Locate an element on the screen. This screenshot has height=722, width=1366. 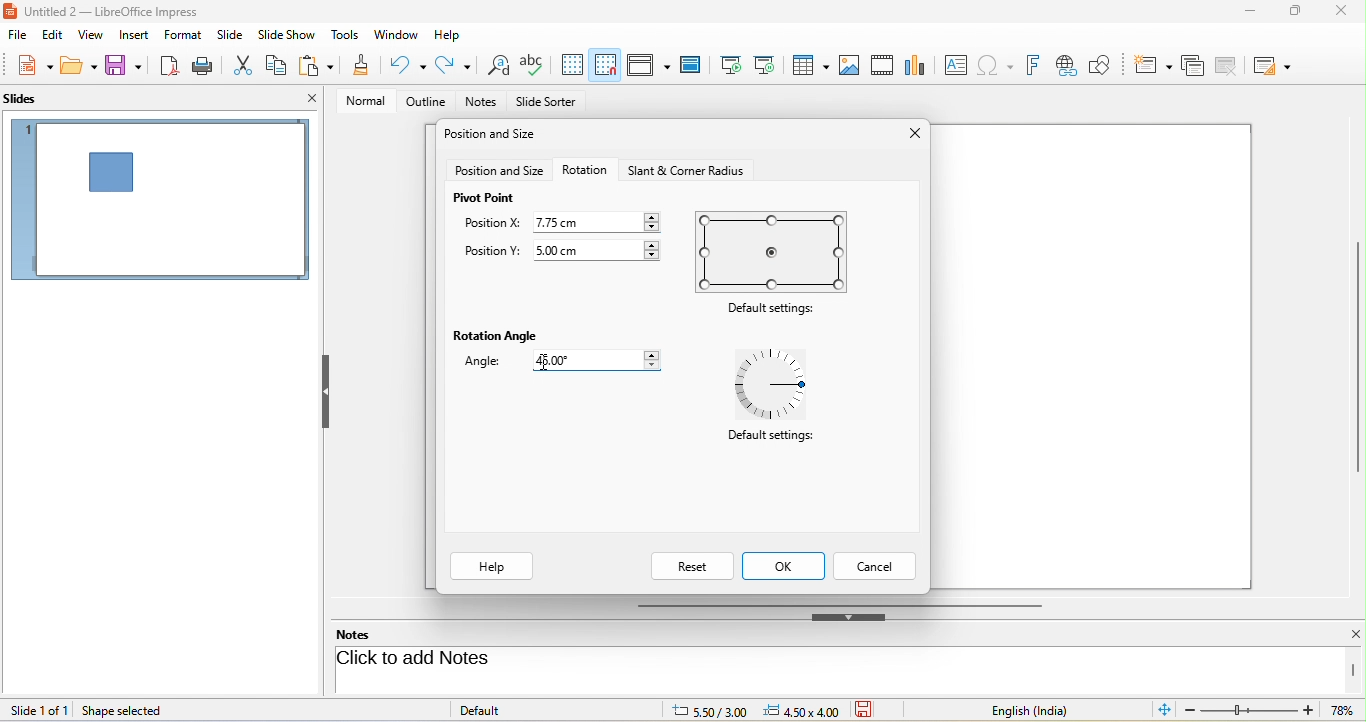
angle is located at coordinates (489, 364).